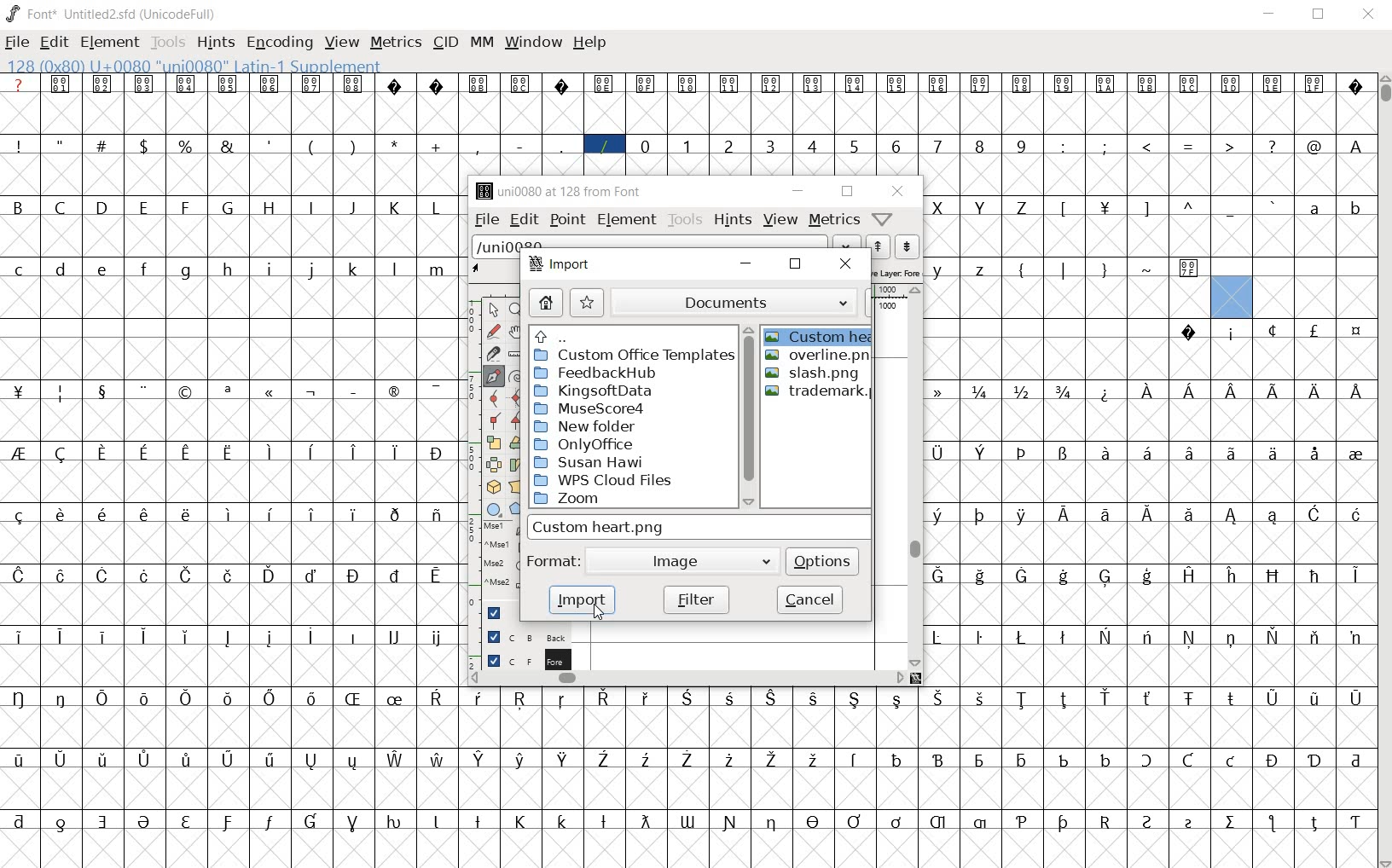 The image size is (1392, 868). What do you see at coordinates (187, 698) in the screenshot?
I see `glyph` at bounding box center [187, 698].